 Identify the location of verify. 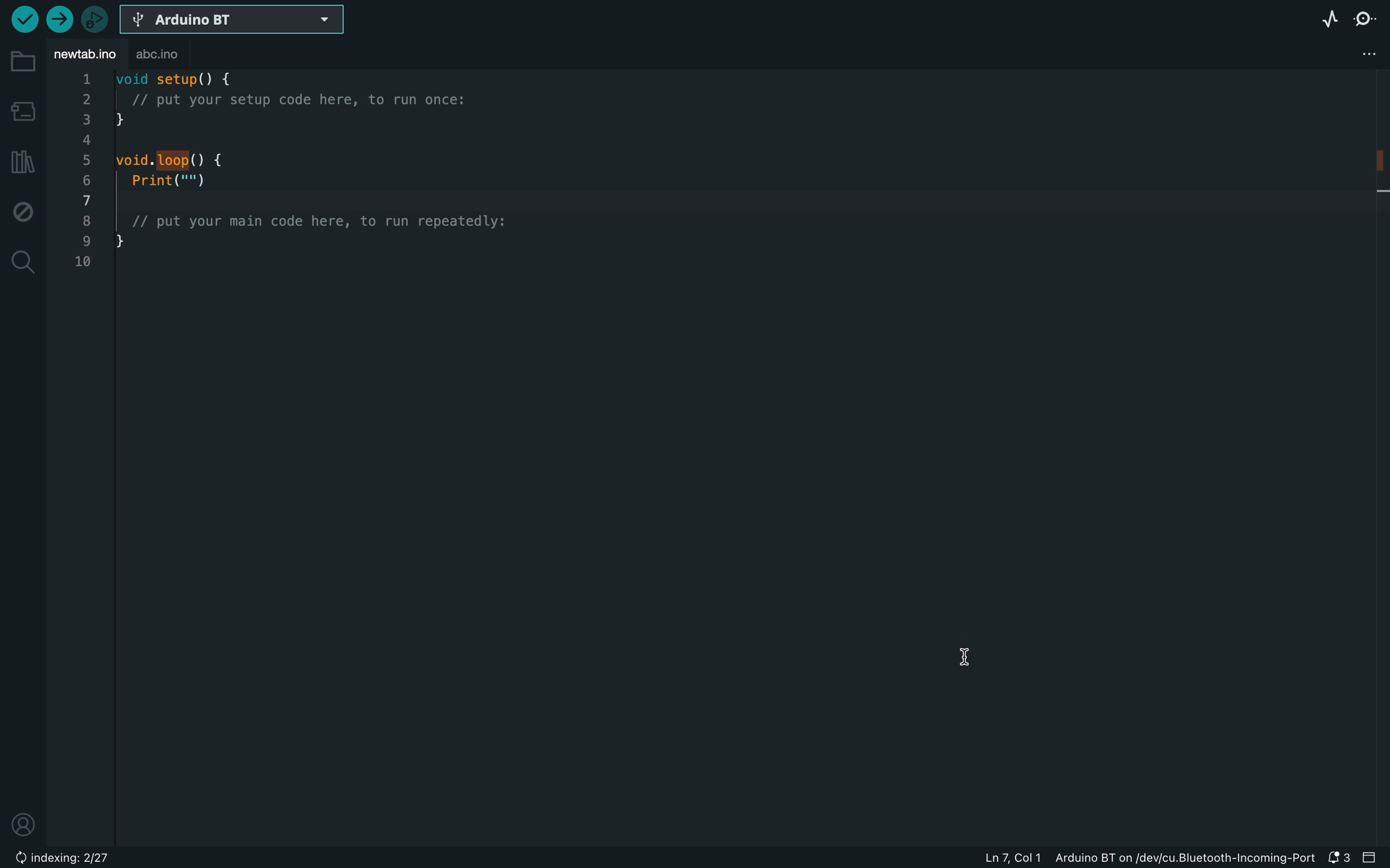
(23, 22).